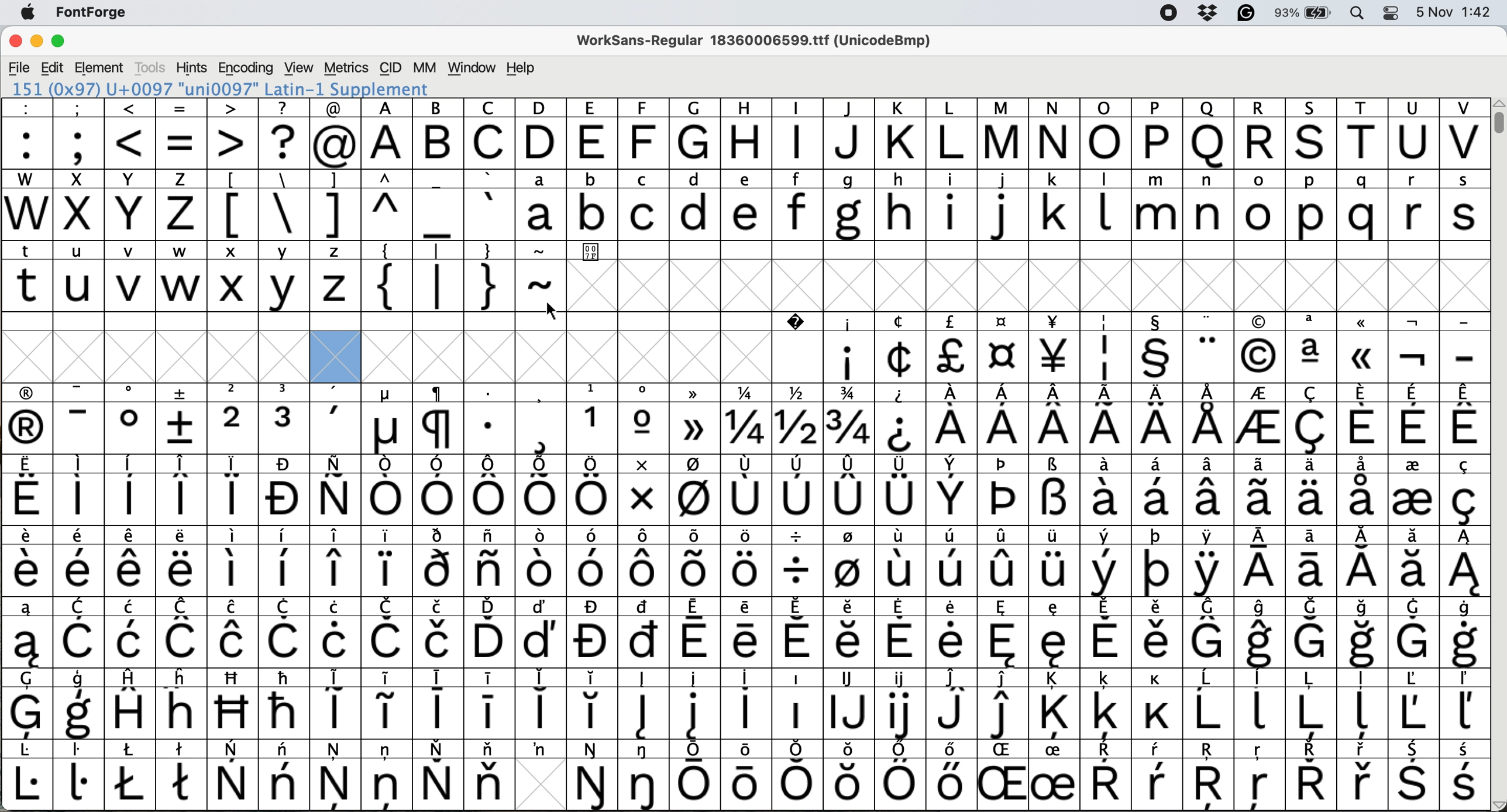  Describe the element at coordinates (387, 135) in the screenshot. I see `A` at that location.